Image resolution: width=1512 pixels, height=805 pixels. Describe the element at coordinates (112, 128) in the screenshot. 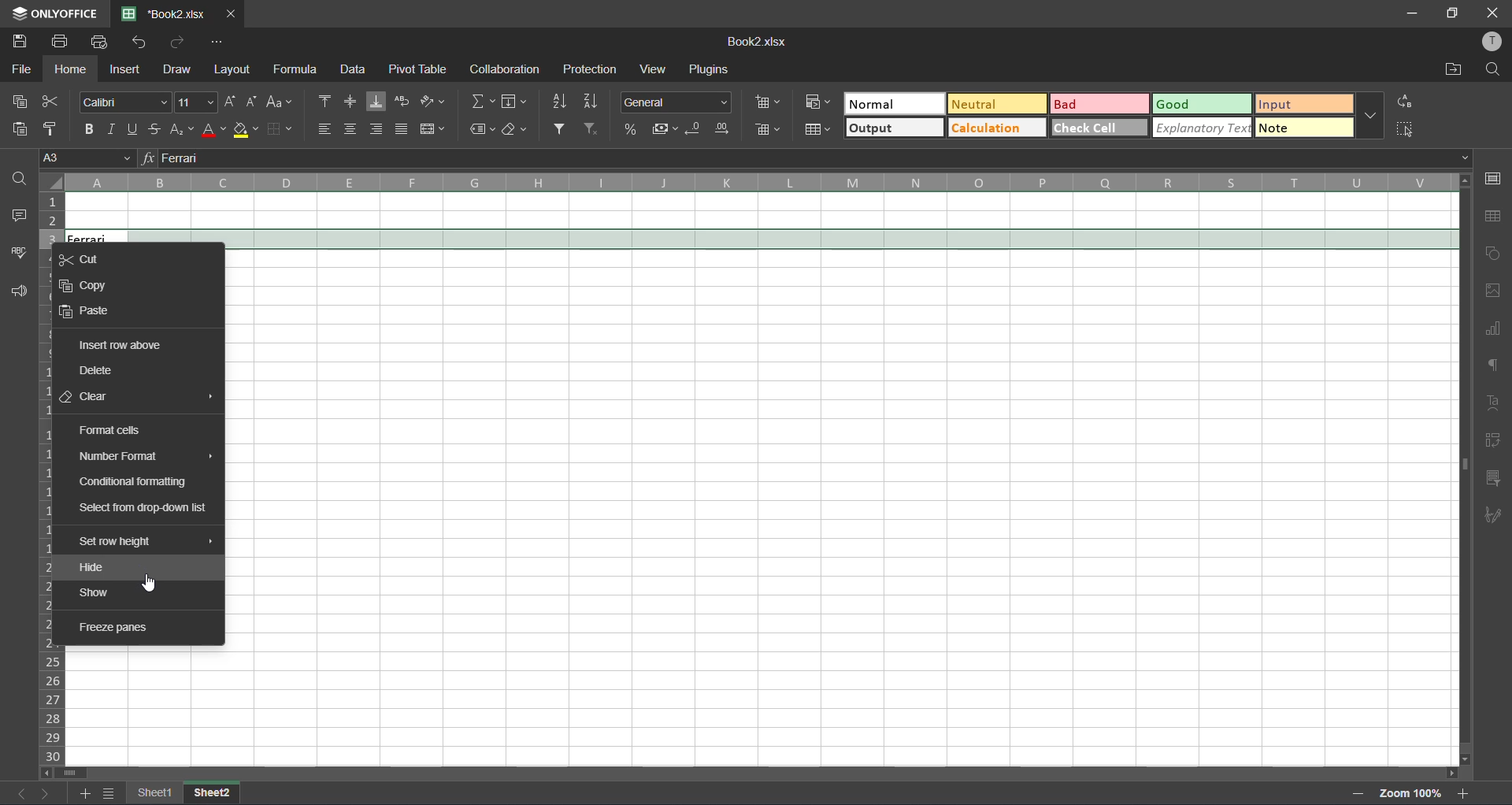

I see `italic` at that location.